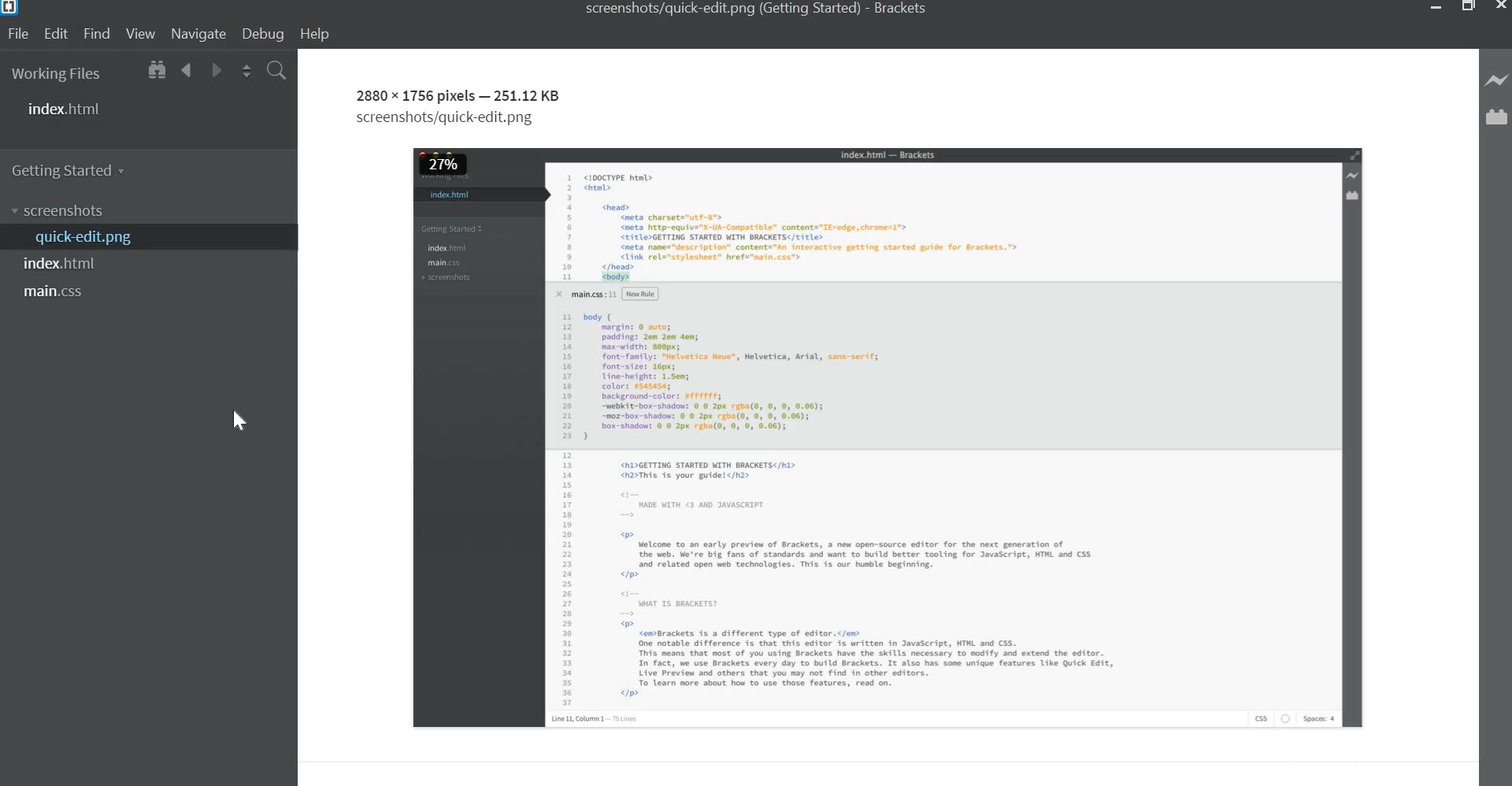 The height and width of the screenshot is (786, 1512). What do you see at coordinates (187, 72) in the screenshot?
I see `Navigate backwards` at bounding box center [187, 72].